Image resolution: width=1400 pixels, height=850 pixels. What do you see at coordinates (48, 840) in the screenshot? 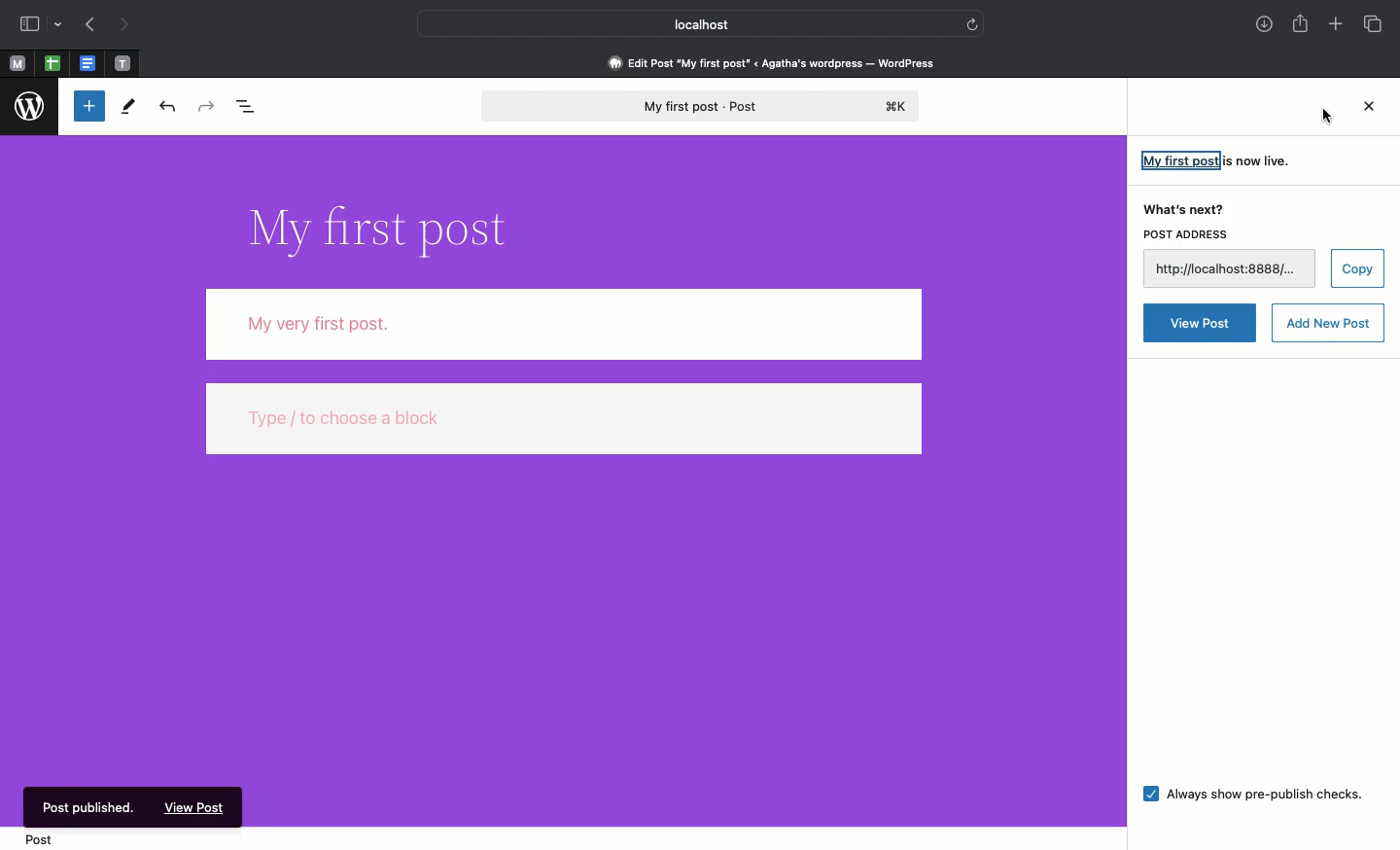
I see `Post` at bounding box center [48, 840].